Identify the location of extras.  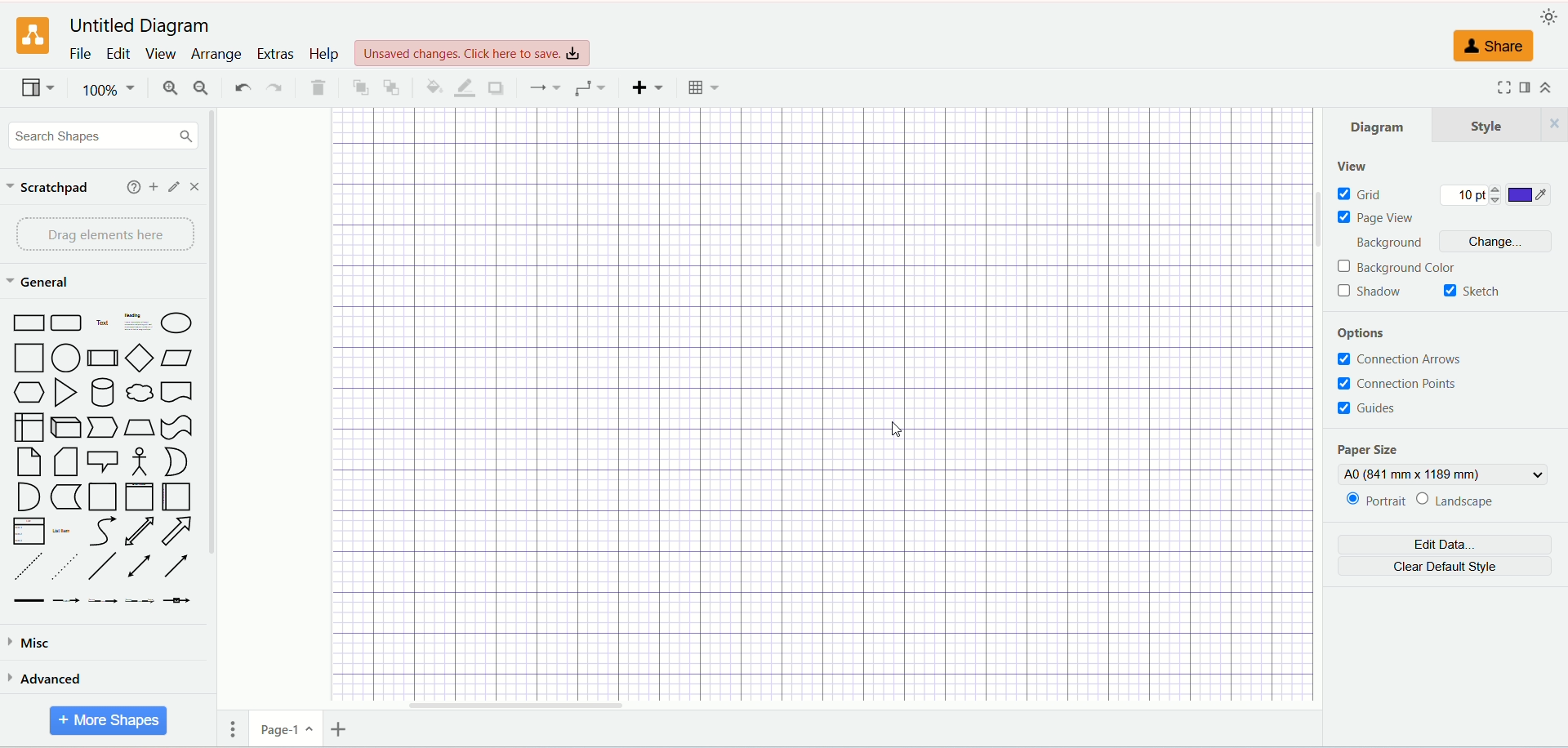
(276, 52).